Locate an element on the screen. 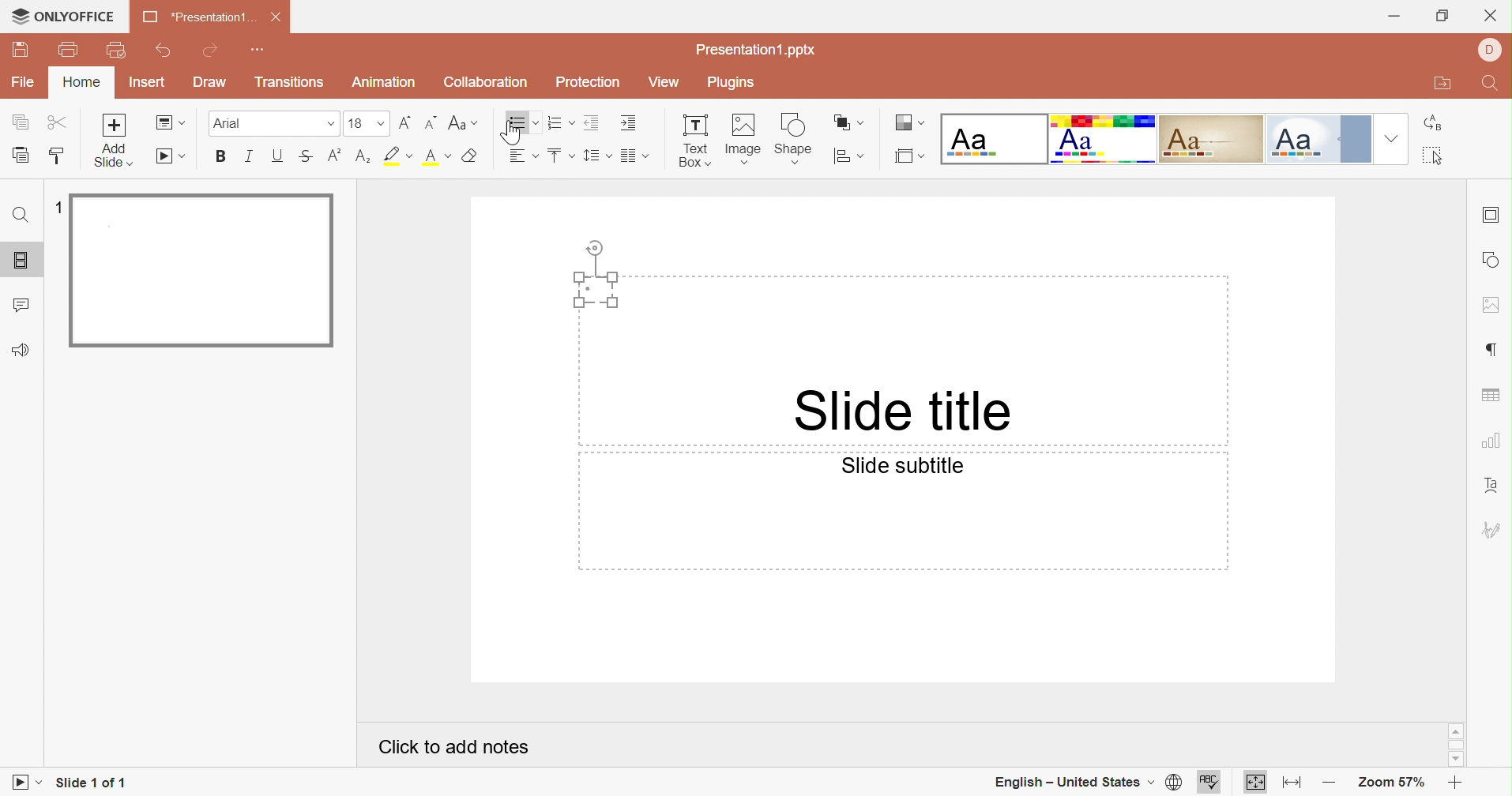 Image resolution: width=1512 pixels, height=796 pixels. Change case is located at coordinates (465, 125).